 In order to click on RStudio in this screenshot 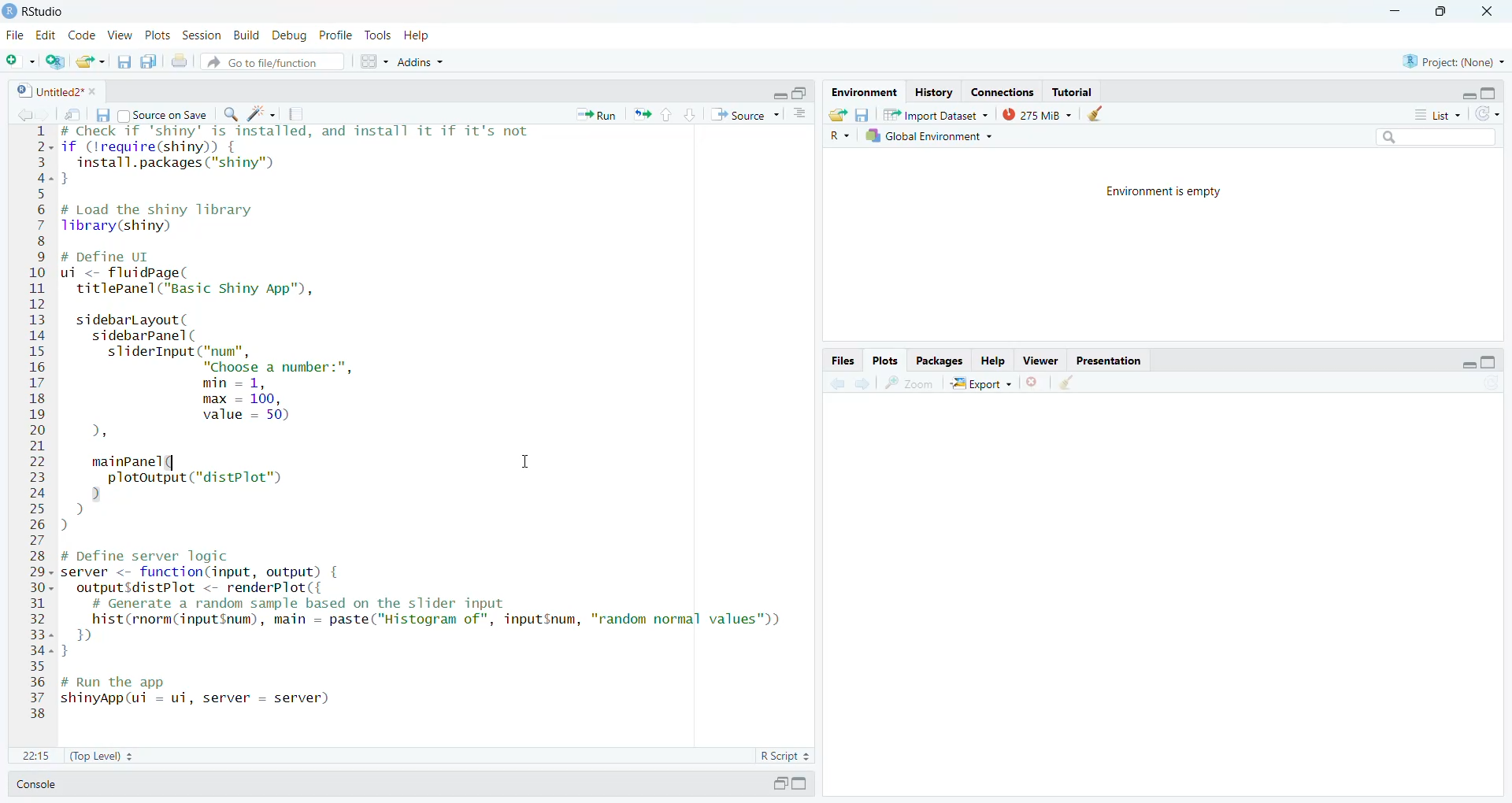, I will do `click(44, 13)`.